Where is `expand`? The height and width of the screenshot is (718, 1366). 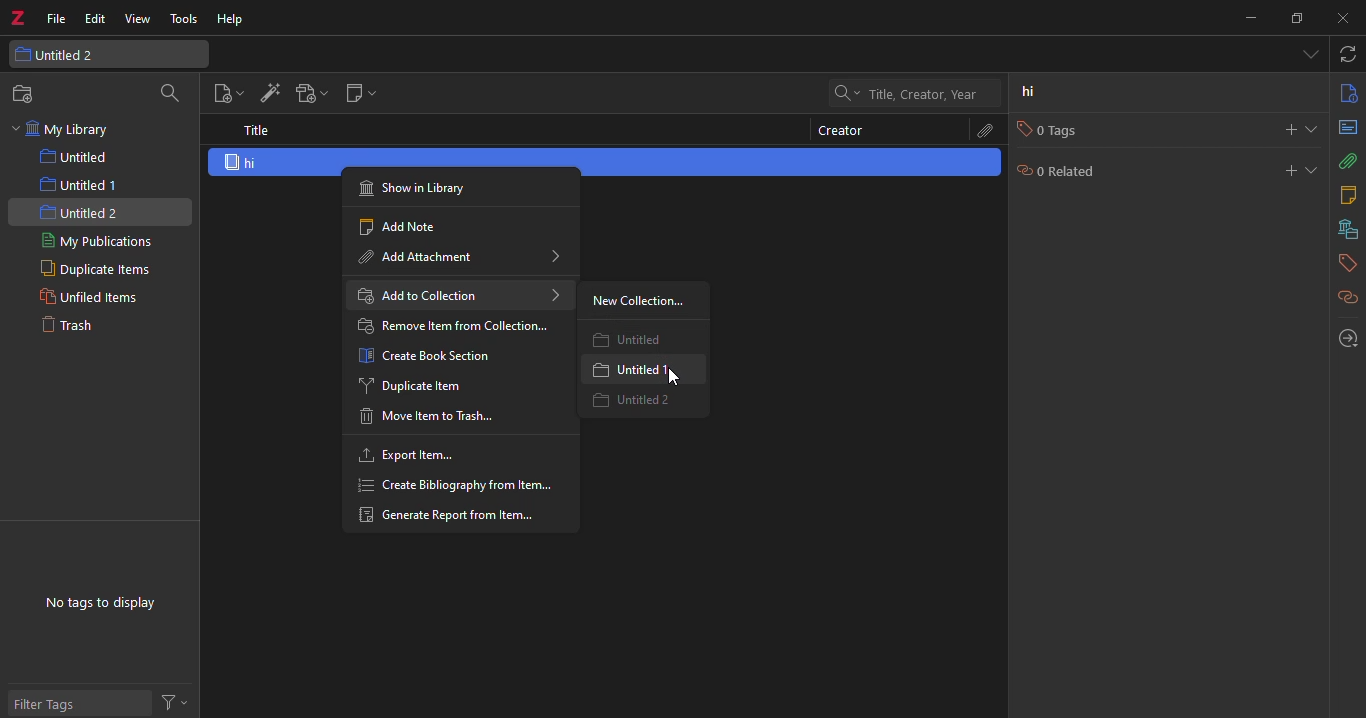
expand is located at coordinates (1313, 128).